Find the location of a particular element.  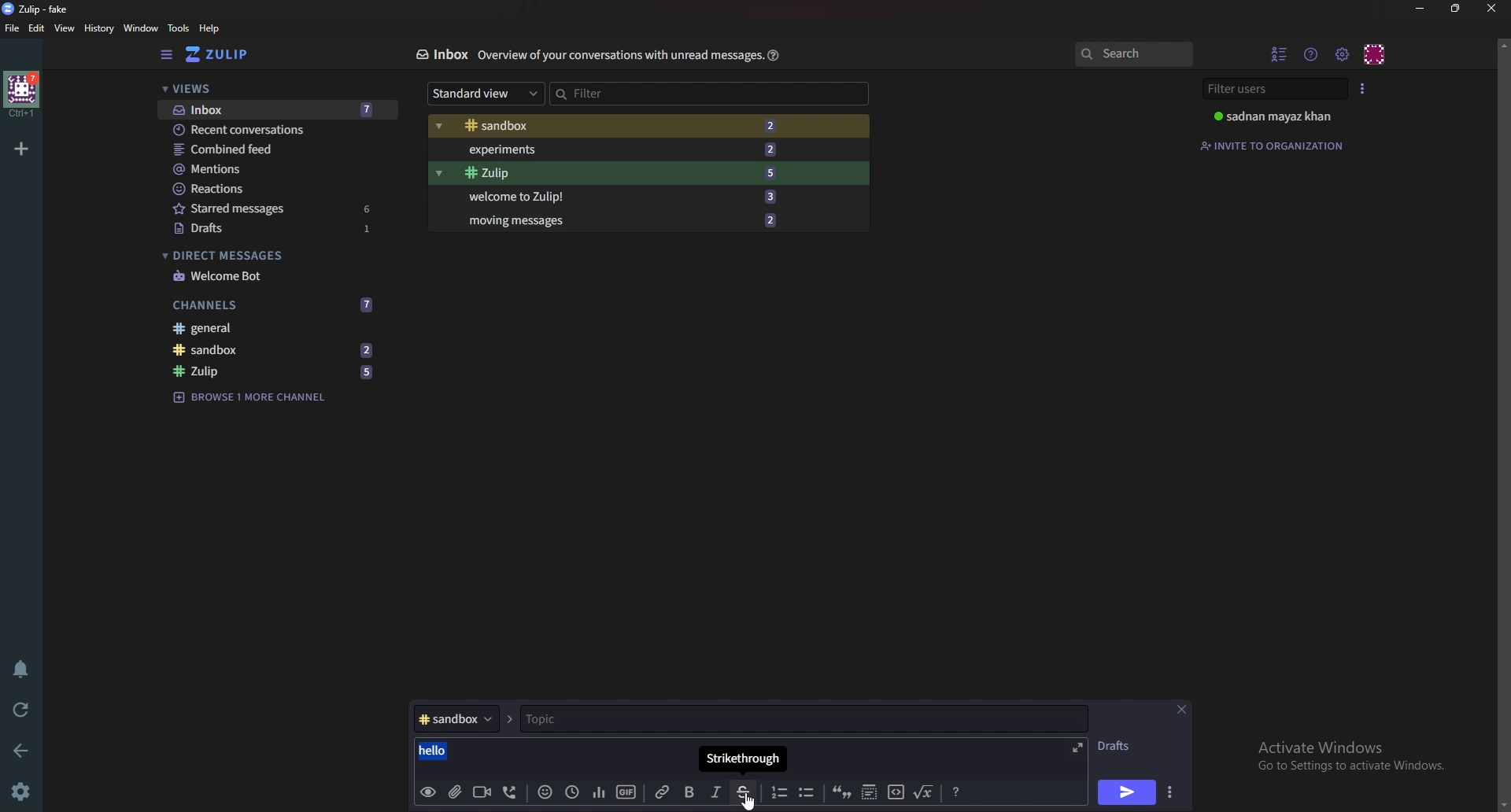

General is located at coordinates (279, 327).